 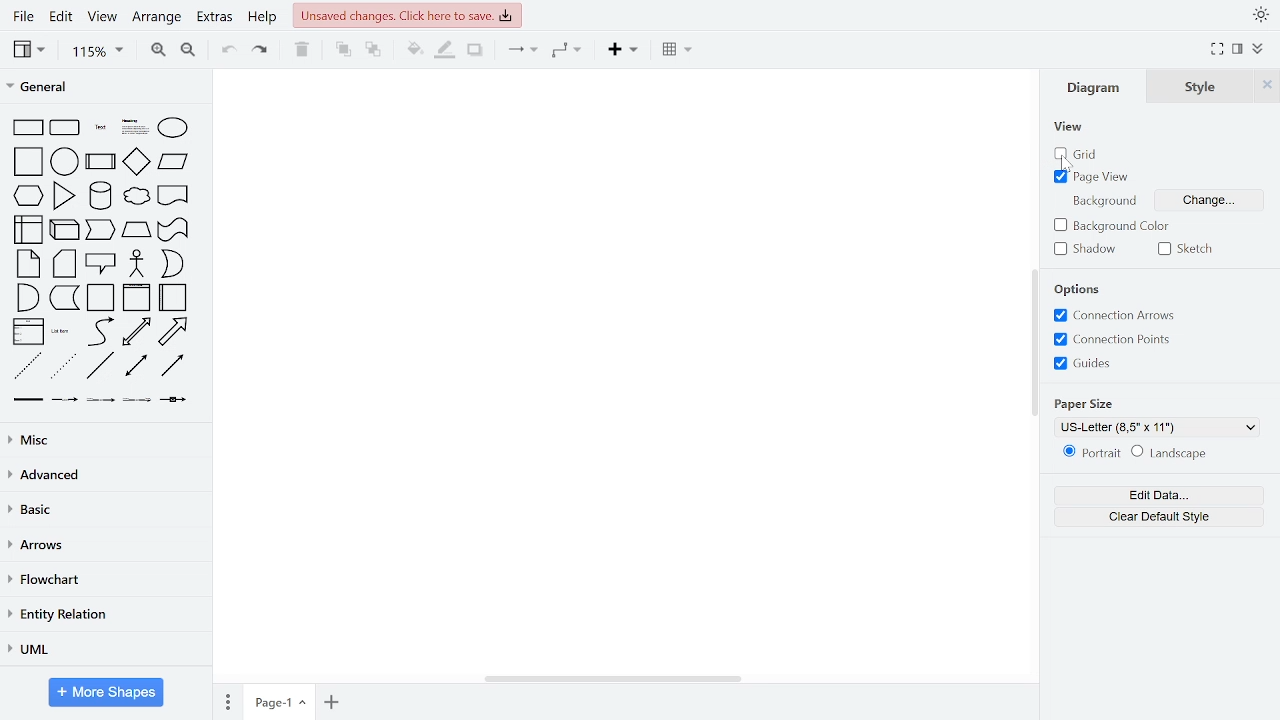 What do you see at coordinates (339, 49) in the screenshot?
I see `to front` at bounding box center [339, 49].